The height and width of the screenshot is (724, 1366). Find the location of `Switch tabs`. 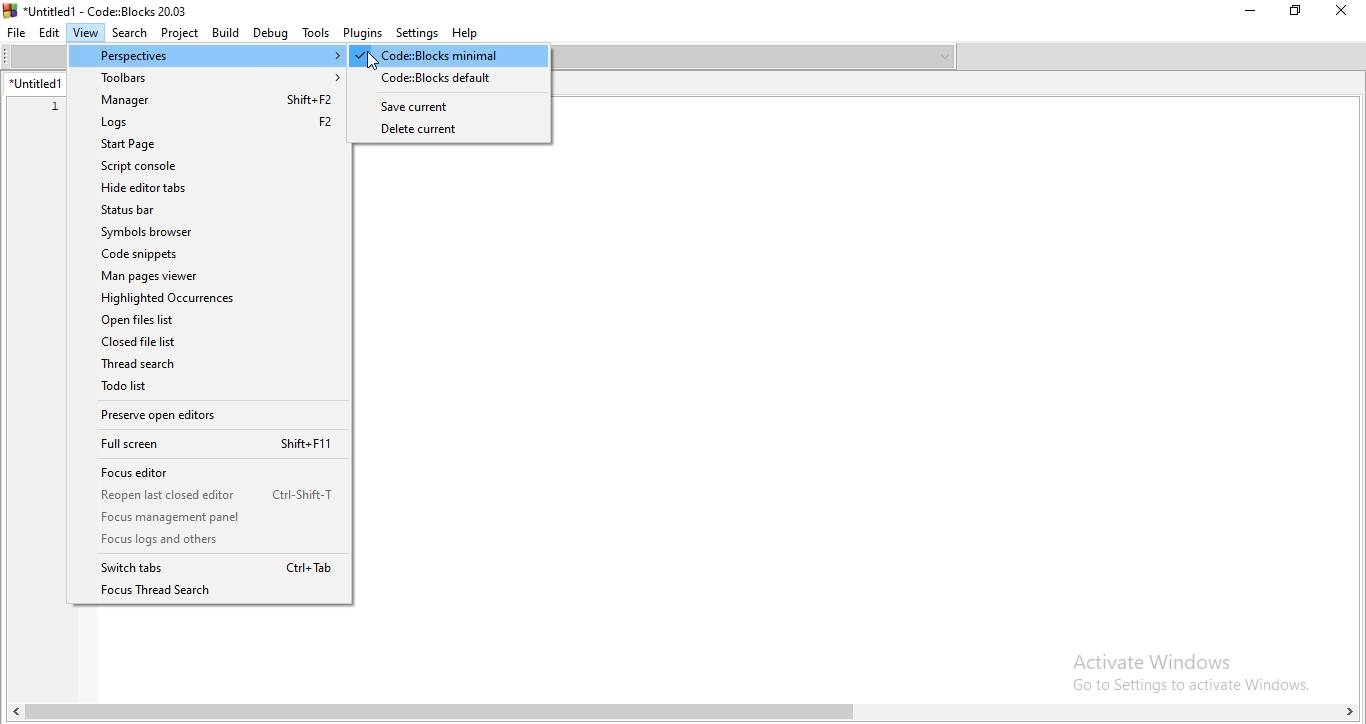

Switch tabs is located at coordinates (208, 571).